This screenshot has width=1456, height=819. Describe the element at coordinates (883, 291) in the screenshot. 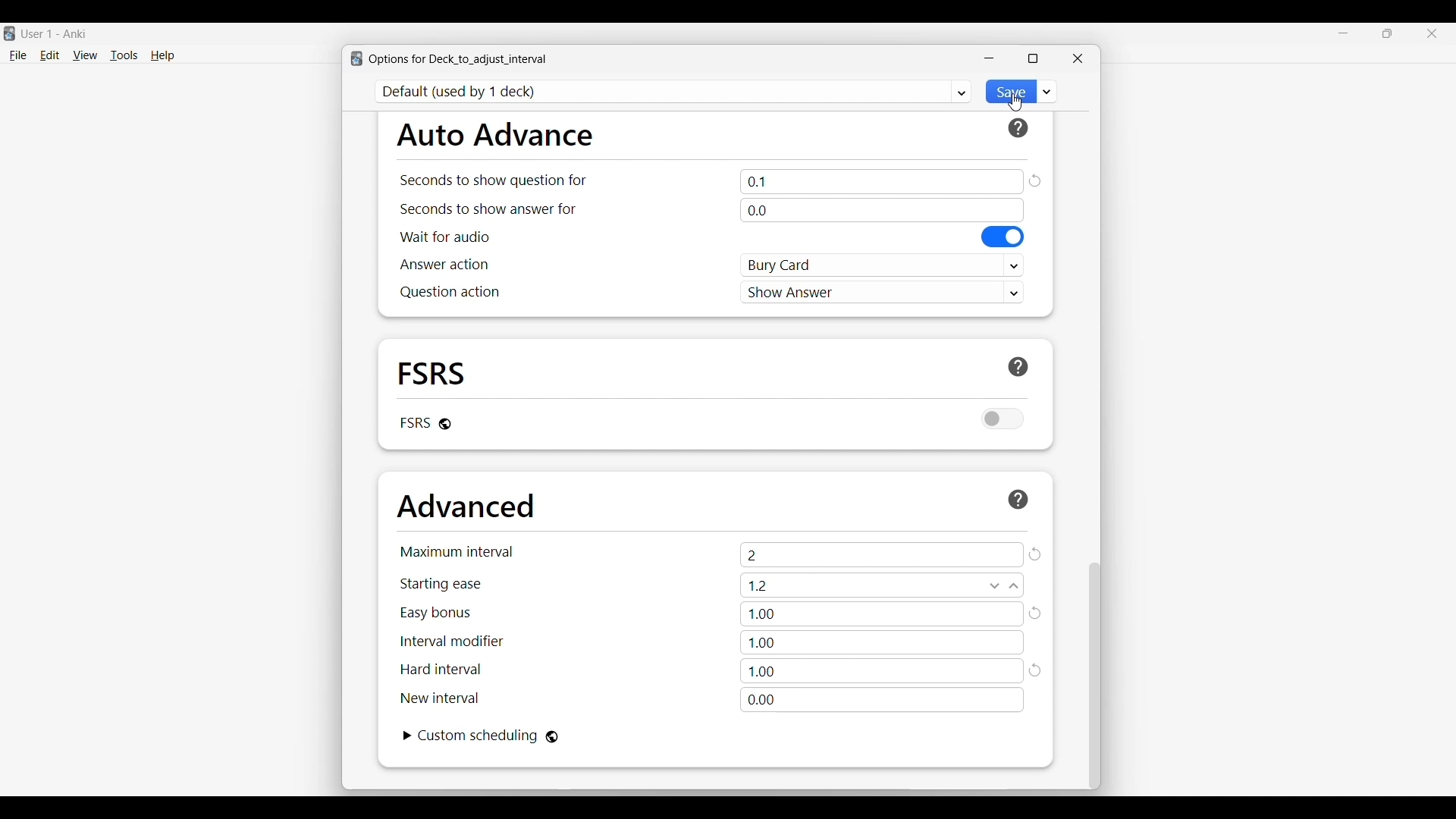

I see `Show Answer` at that location.